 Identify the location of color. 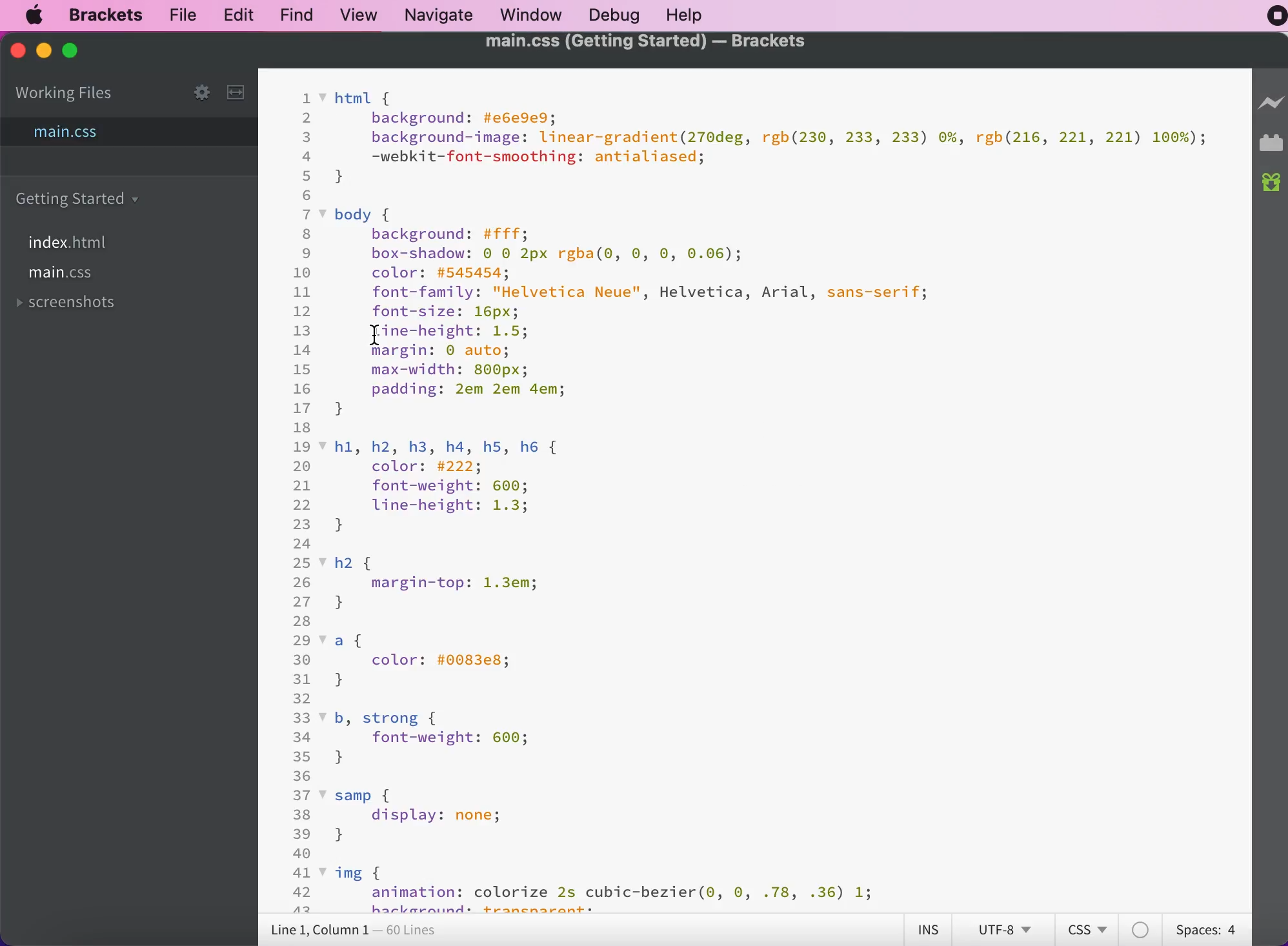
(1139, 931).